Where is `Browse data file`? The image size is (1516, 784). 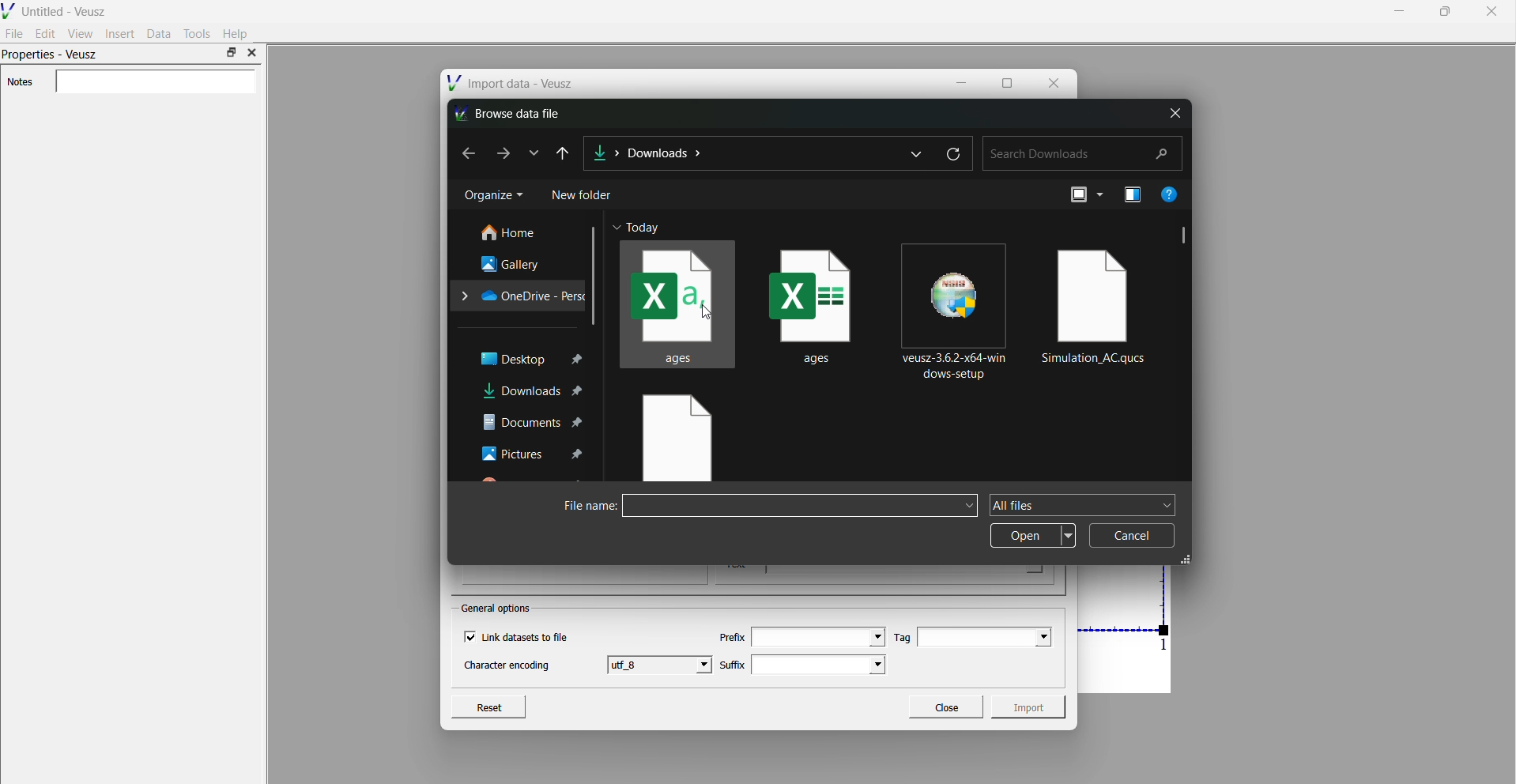 Browse data file is located at coordinates (512, 113).